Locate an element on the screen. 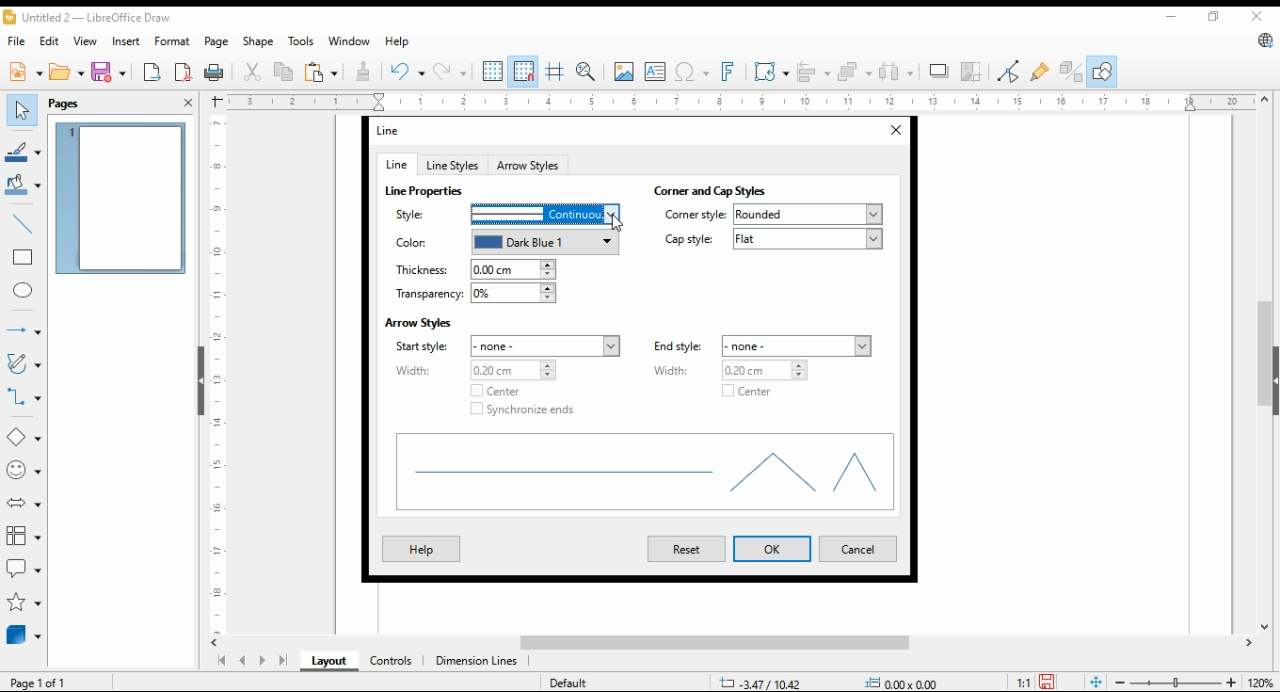  align objects is located at coordinates (810, 70).